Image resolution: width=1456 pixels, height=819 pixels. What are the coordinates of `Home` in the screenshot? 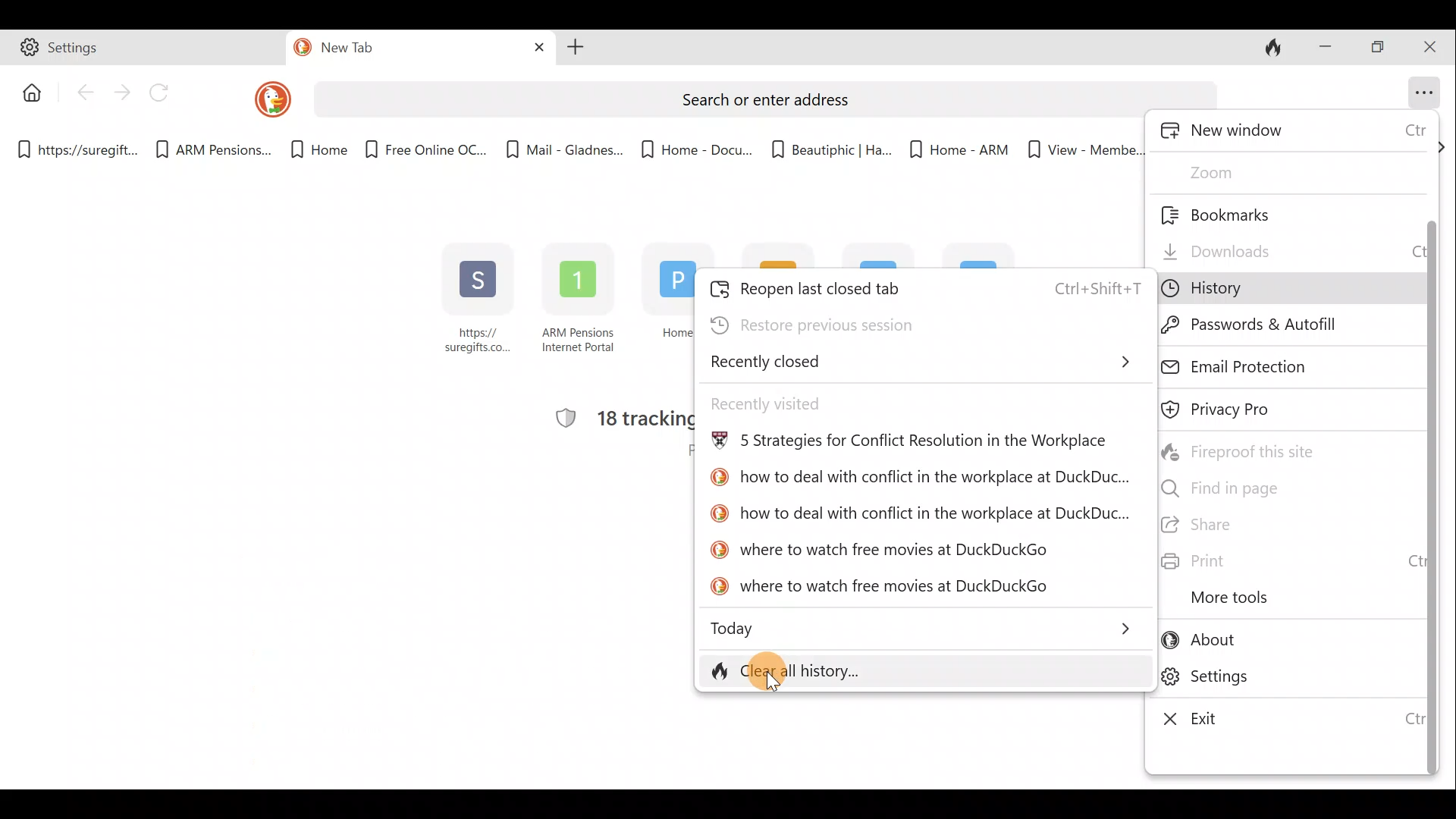 It's located at (310, 150).